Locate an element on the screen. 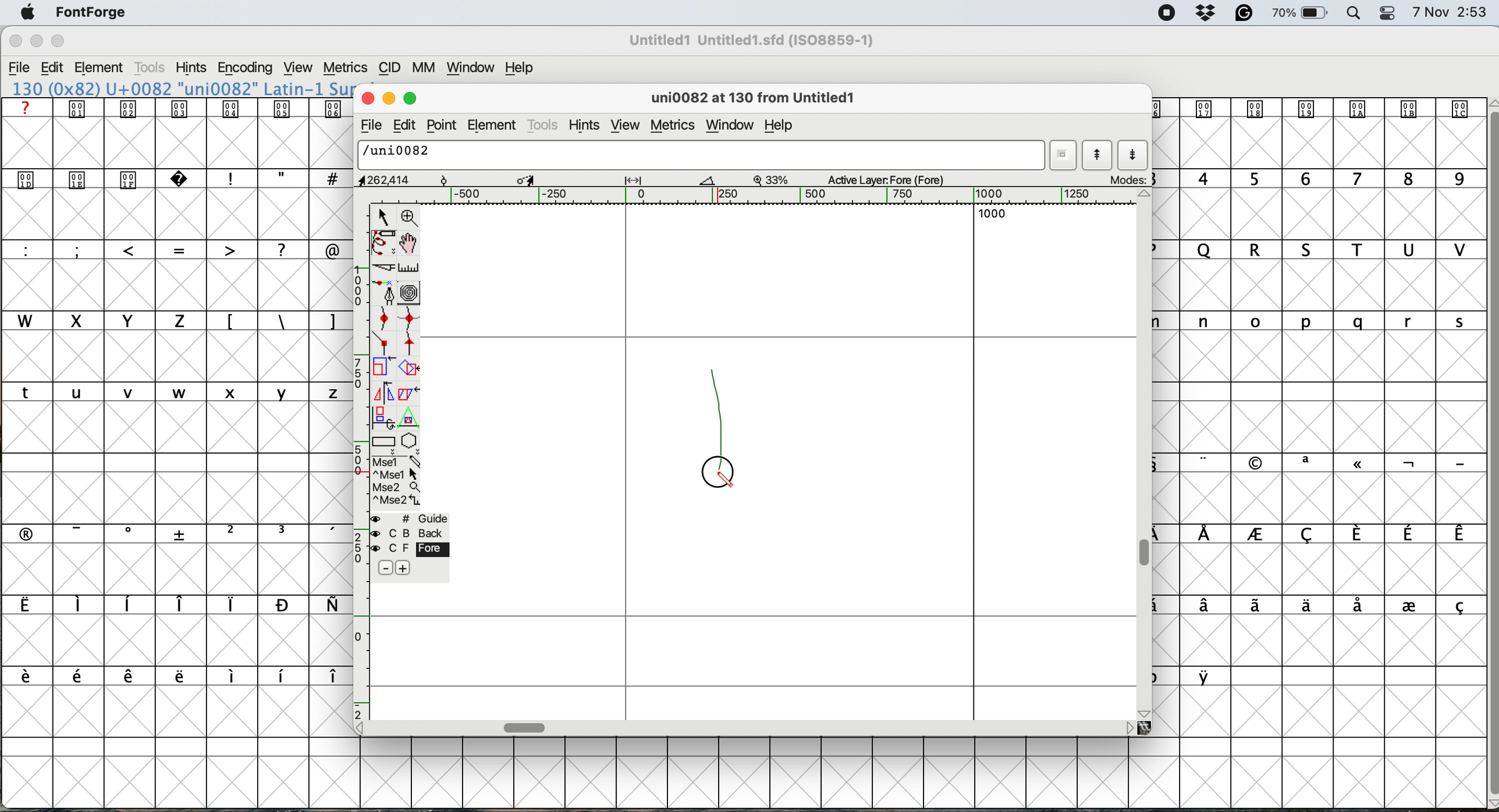  add a curve point is located at coordinates (386, 320).